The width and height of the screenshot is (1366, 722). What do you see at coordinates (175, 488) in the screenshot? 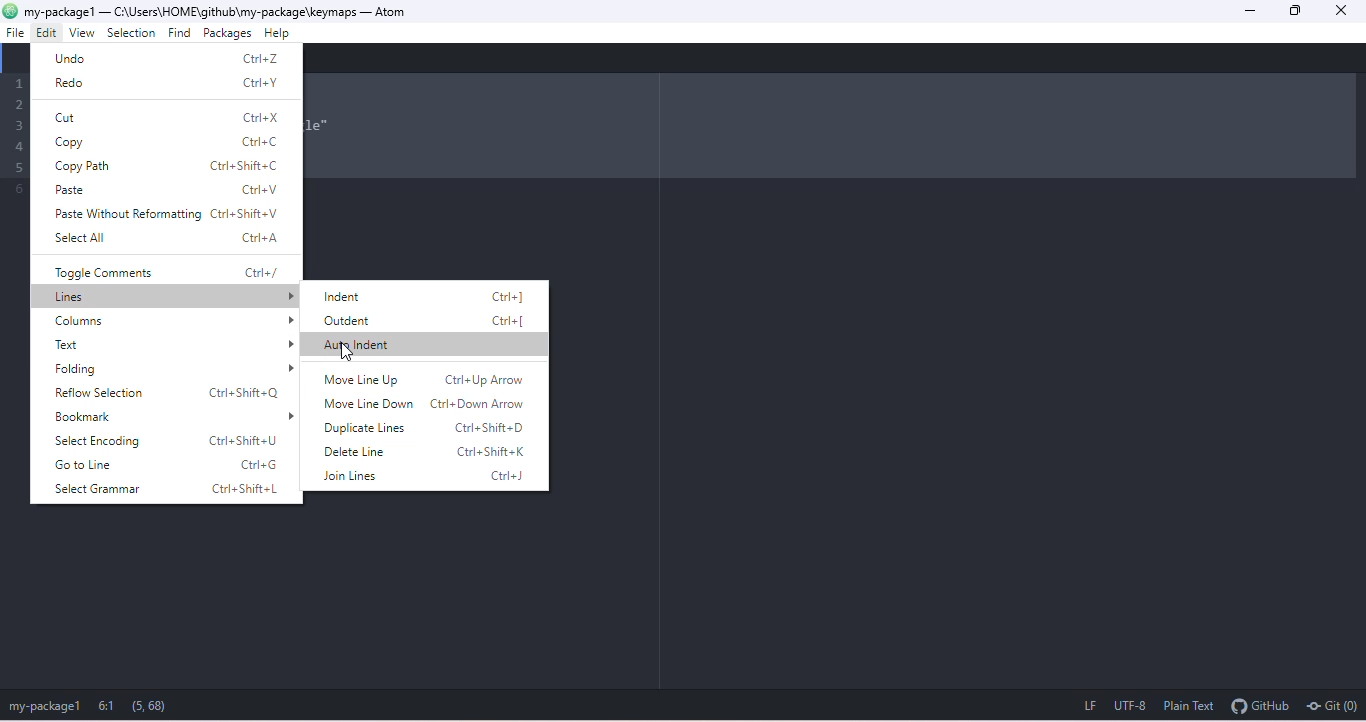
I see `select grammar` at bounding box center [175, 488].